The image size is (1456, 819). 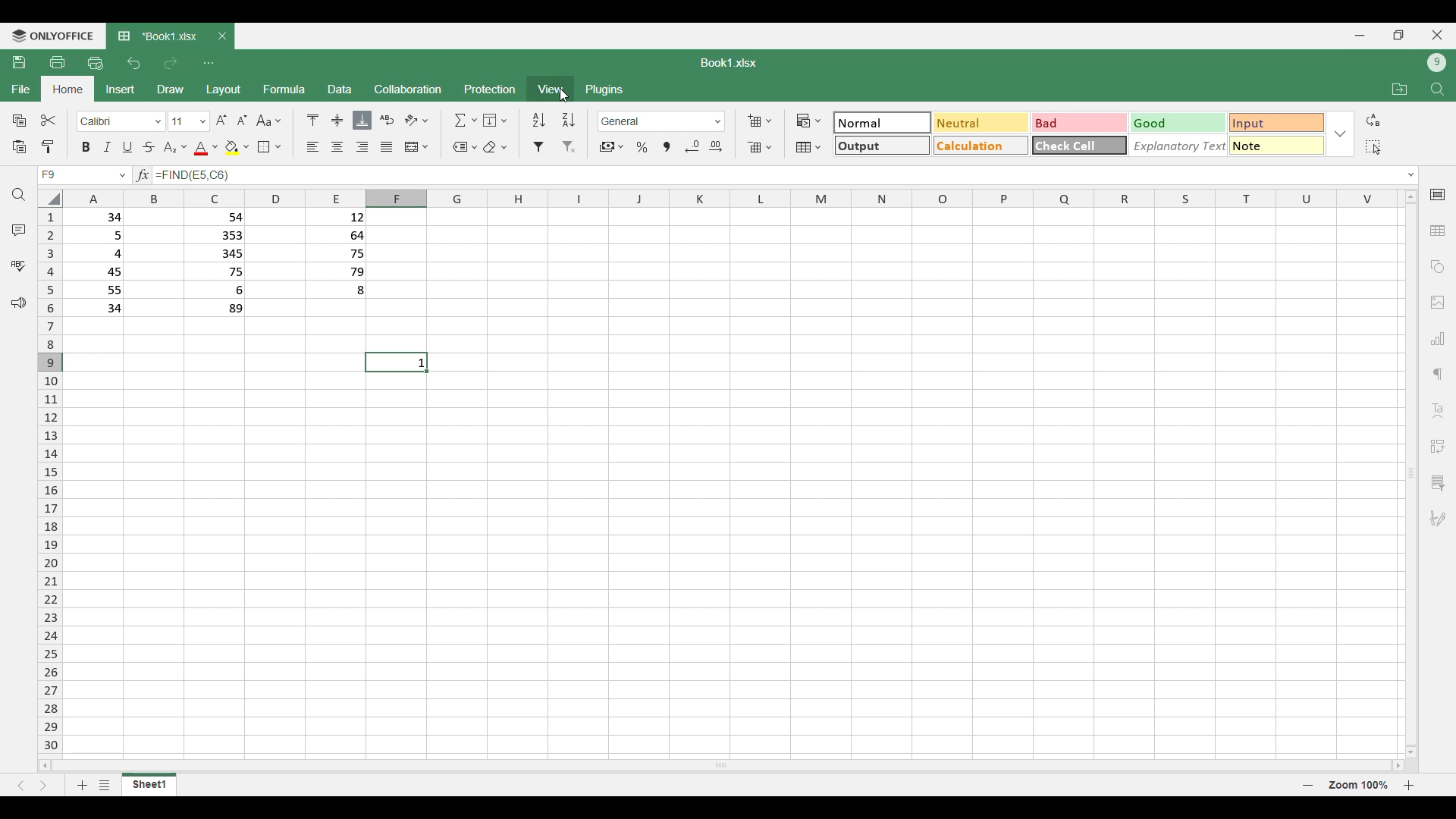 What do you see at coordinates (48, 147) in the screenshot?
I see `Copy formatting` at bounding box center [48, 147].